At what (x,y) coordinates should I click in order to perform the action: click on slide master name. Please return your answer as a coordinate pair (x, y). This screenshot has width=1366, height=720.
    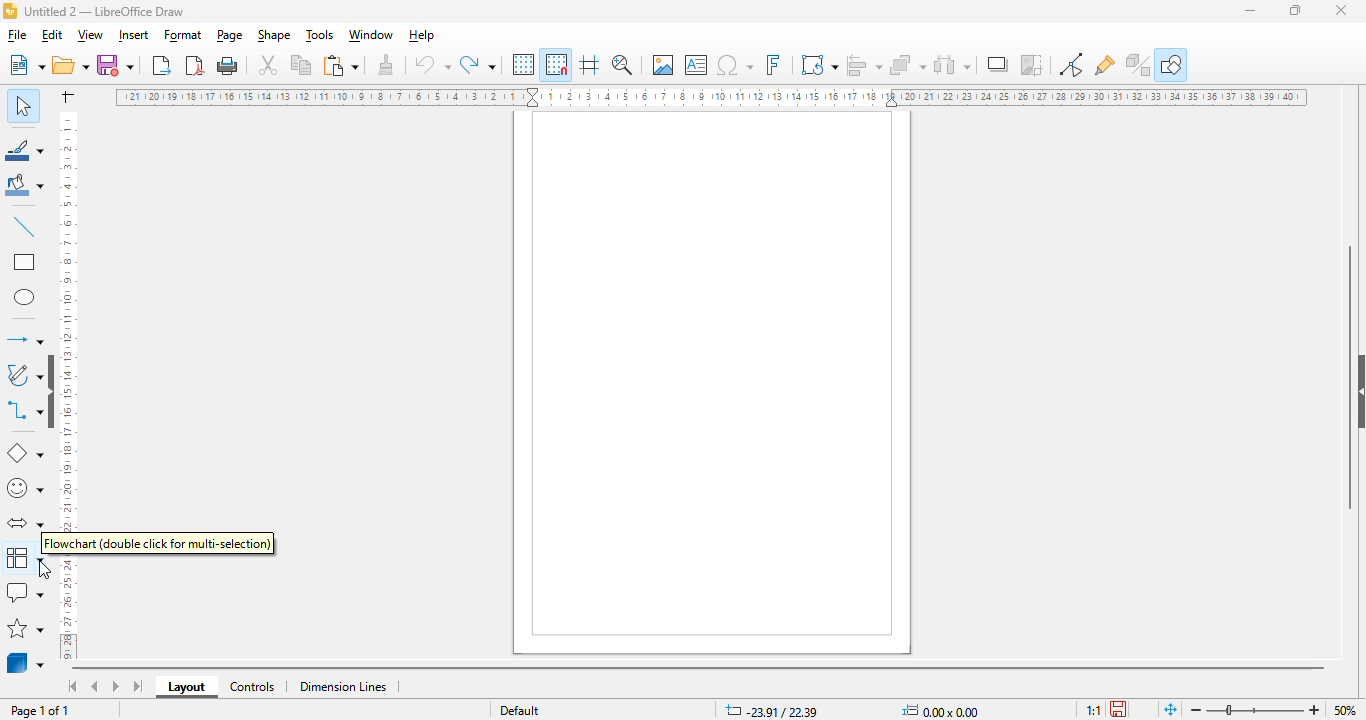
    Looking at the image, I should click on (518, 711).